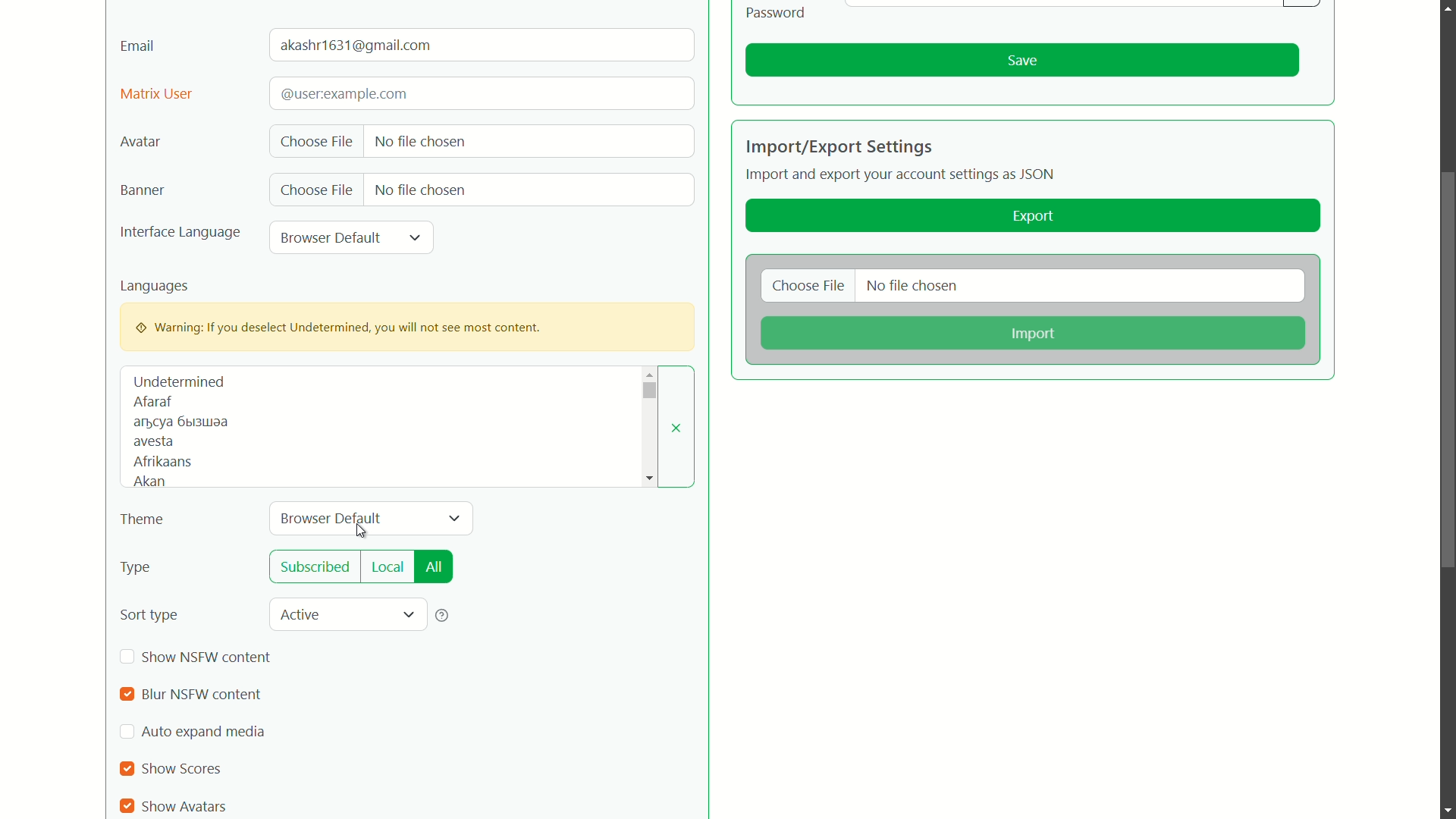 The image size is (1456, 819). I want to click on type, so click(136, 569).